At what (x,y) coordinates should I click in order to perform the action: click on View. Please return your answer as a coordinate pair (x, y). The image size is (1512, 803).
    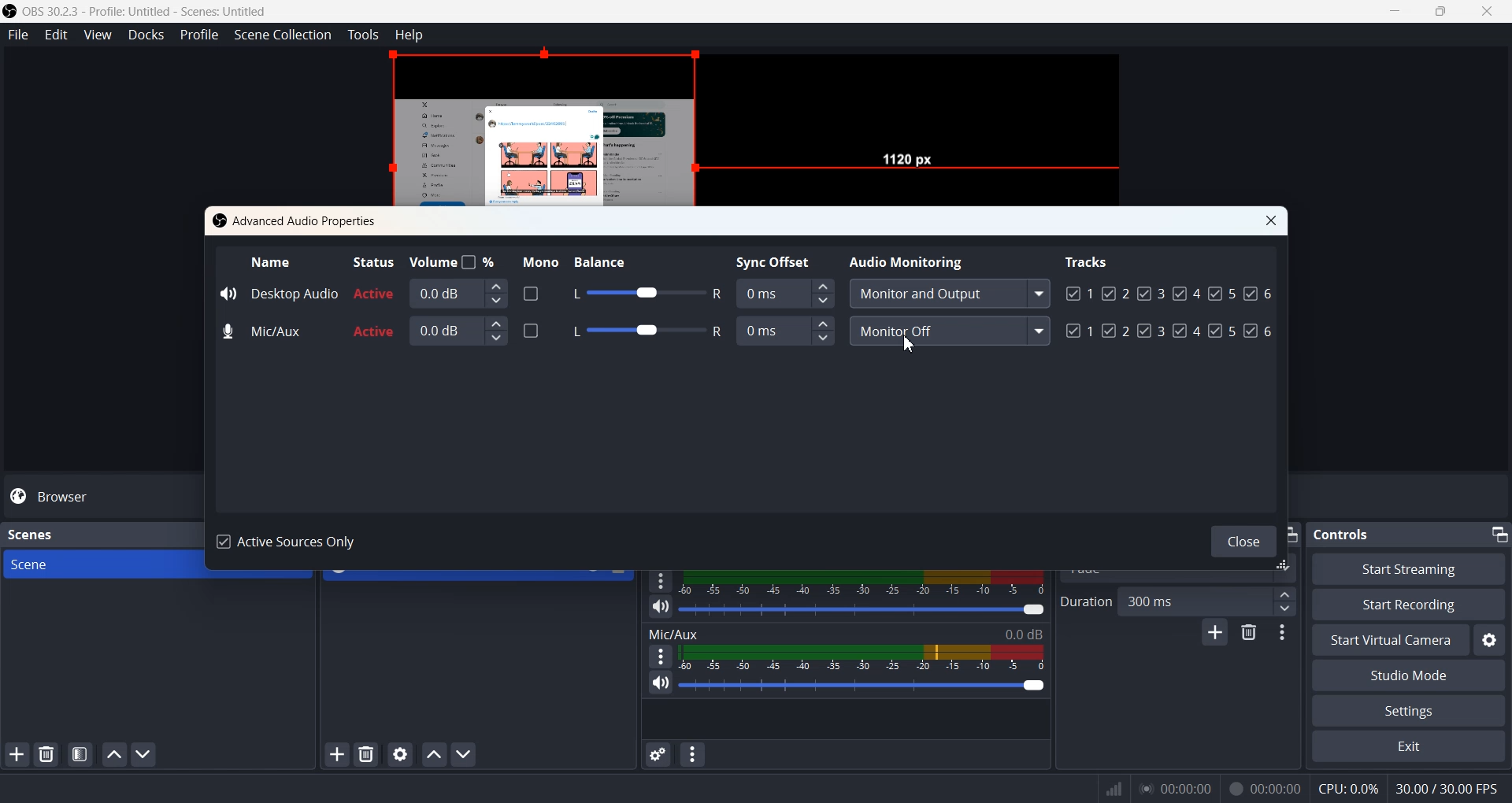
    Looking at the image, I should click on (98, 35).